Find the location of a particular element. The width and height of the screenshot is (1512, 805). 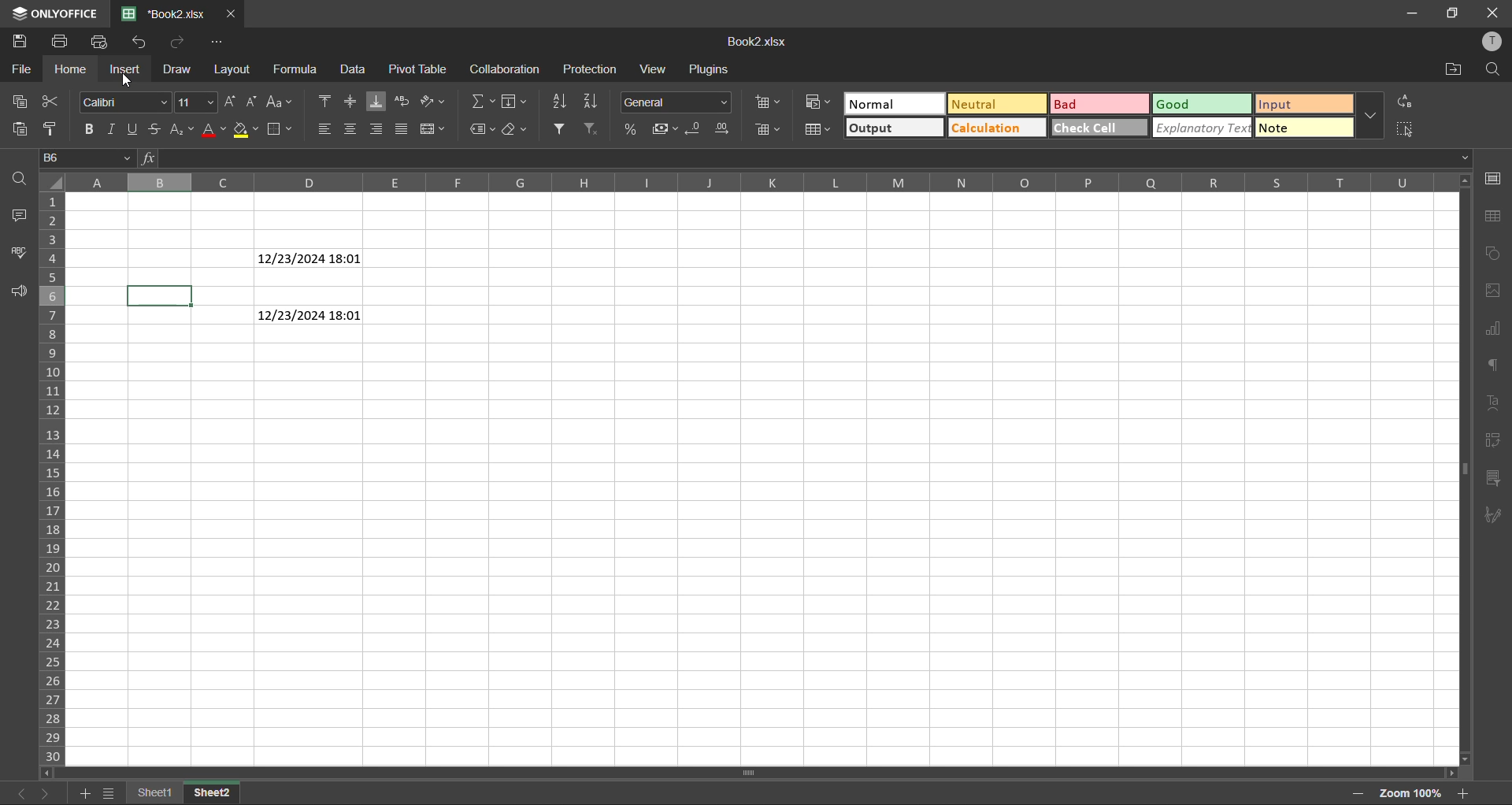

pivot table is located at coordinates (421, 69).